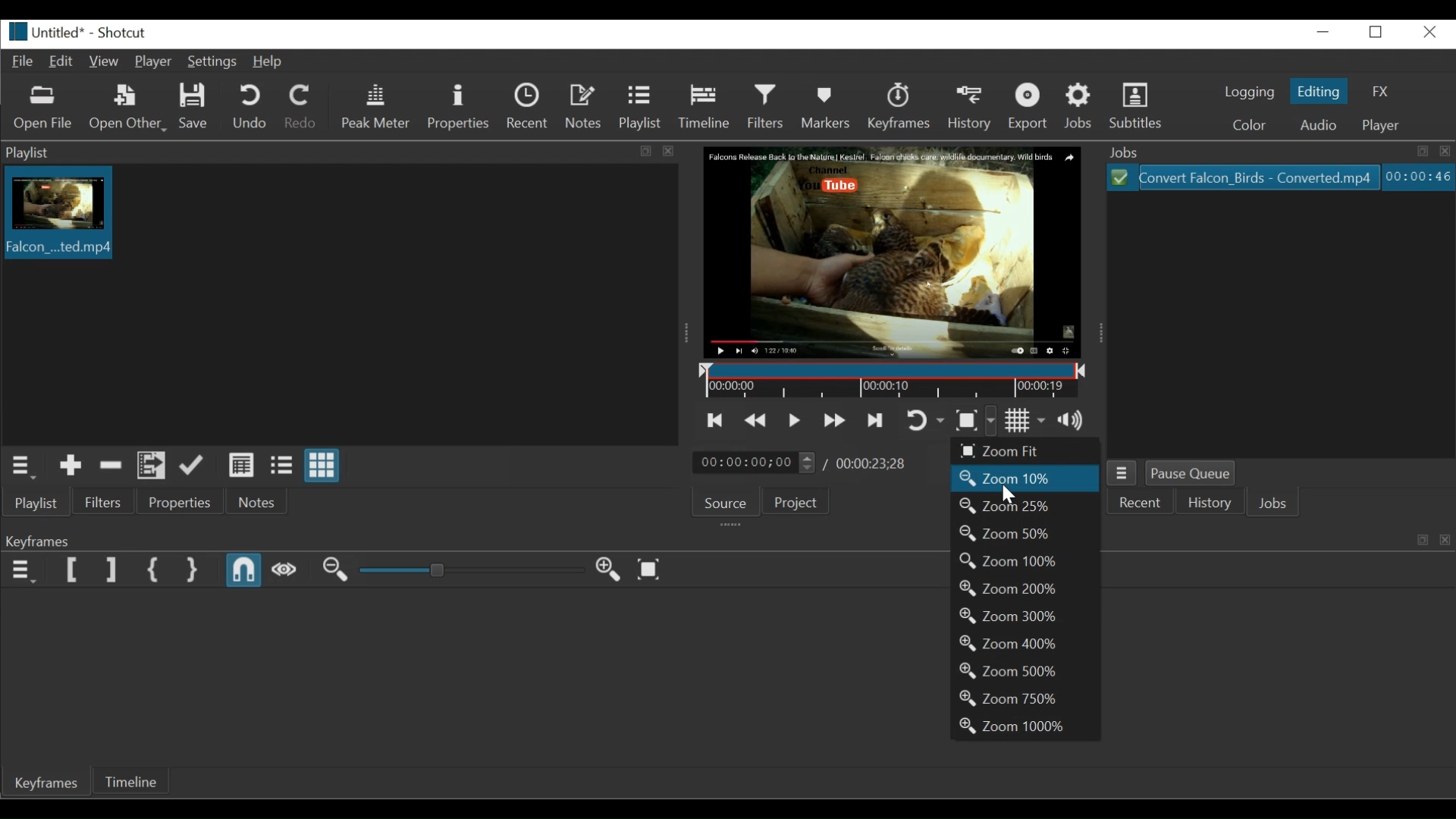  What do you see at coordinates (70, 466) in the screenshot?
I see `Add the Source to the playlist` at bounding box center [70, 466].